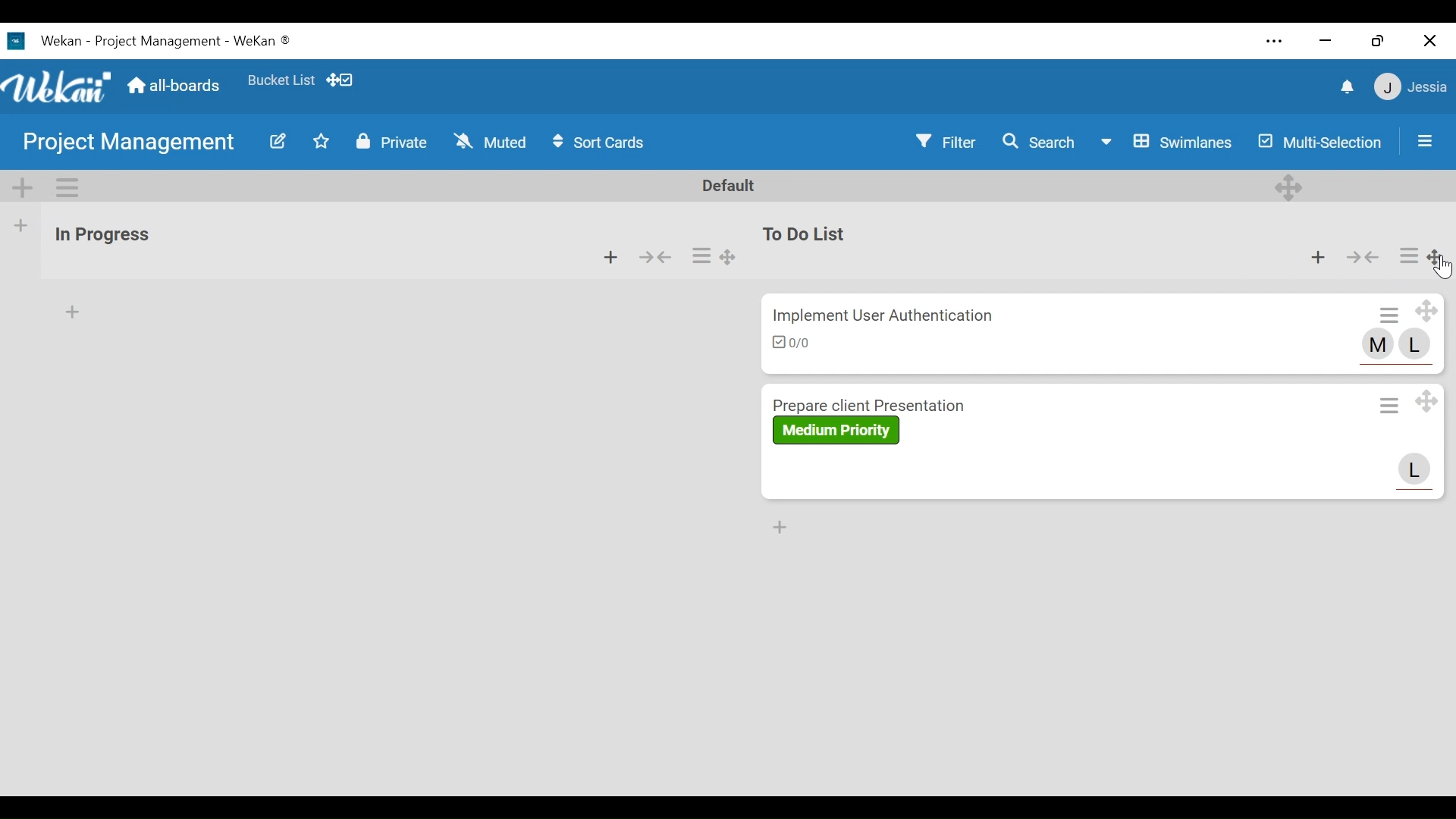  What do you see at coordinates (1318, 257) in the screenshot?
I see `Add card to the top of list` at bounding box center [1318, 257].